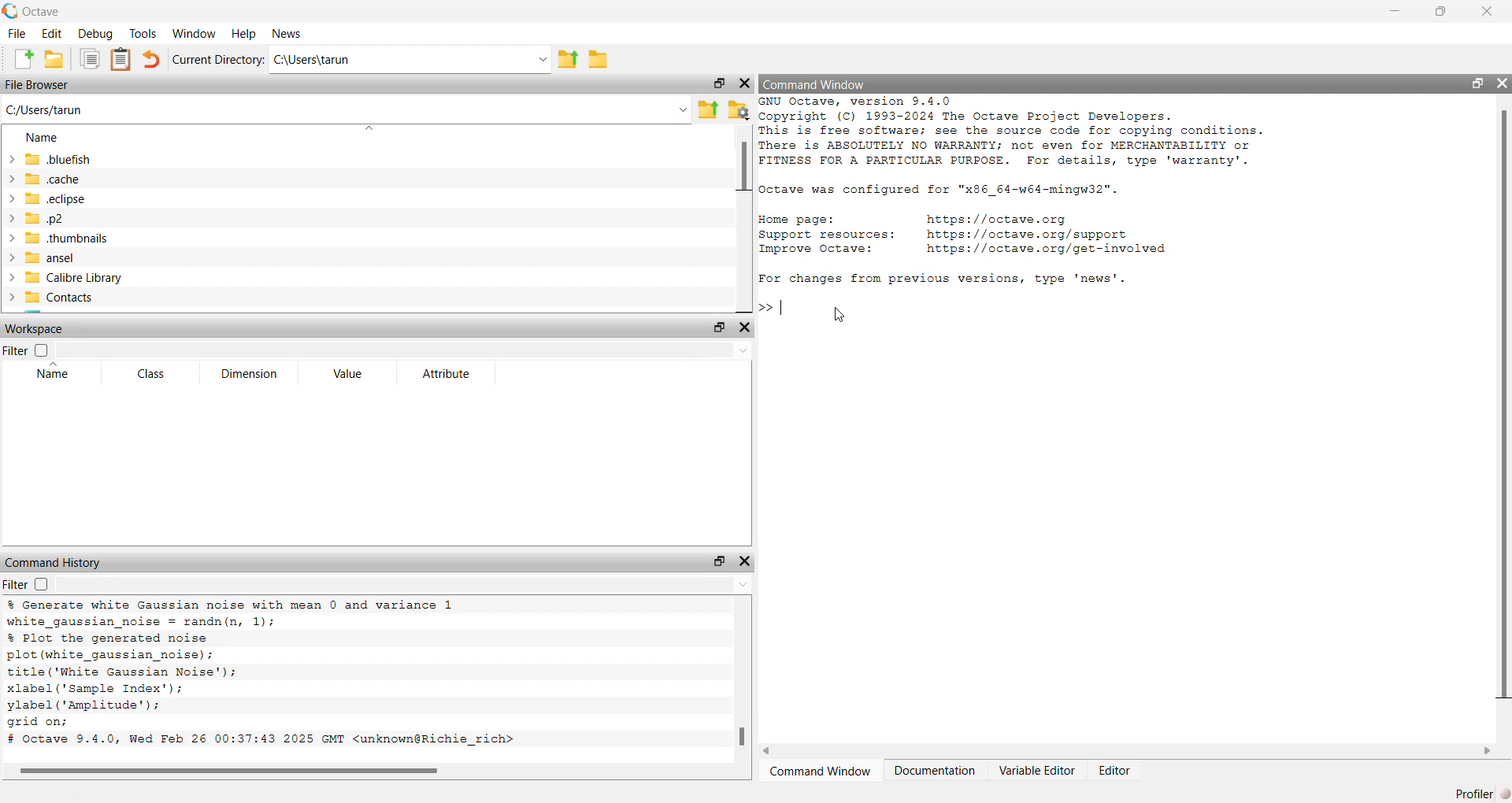 The width and height of the screenshot is (1512, 803). What do you see at coordinates (88, 61) in the screenshot?
I see `documents` at bounding box center [88, 61].